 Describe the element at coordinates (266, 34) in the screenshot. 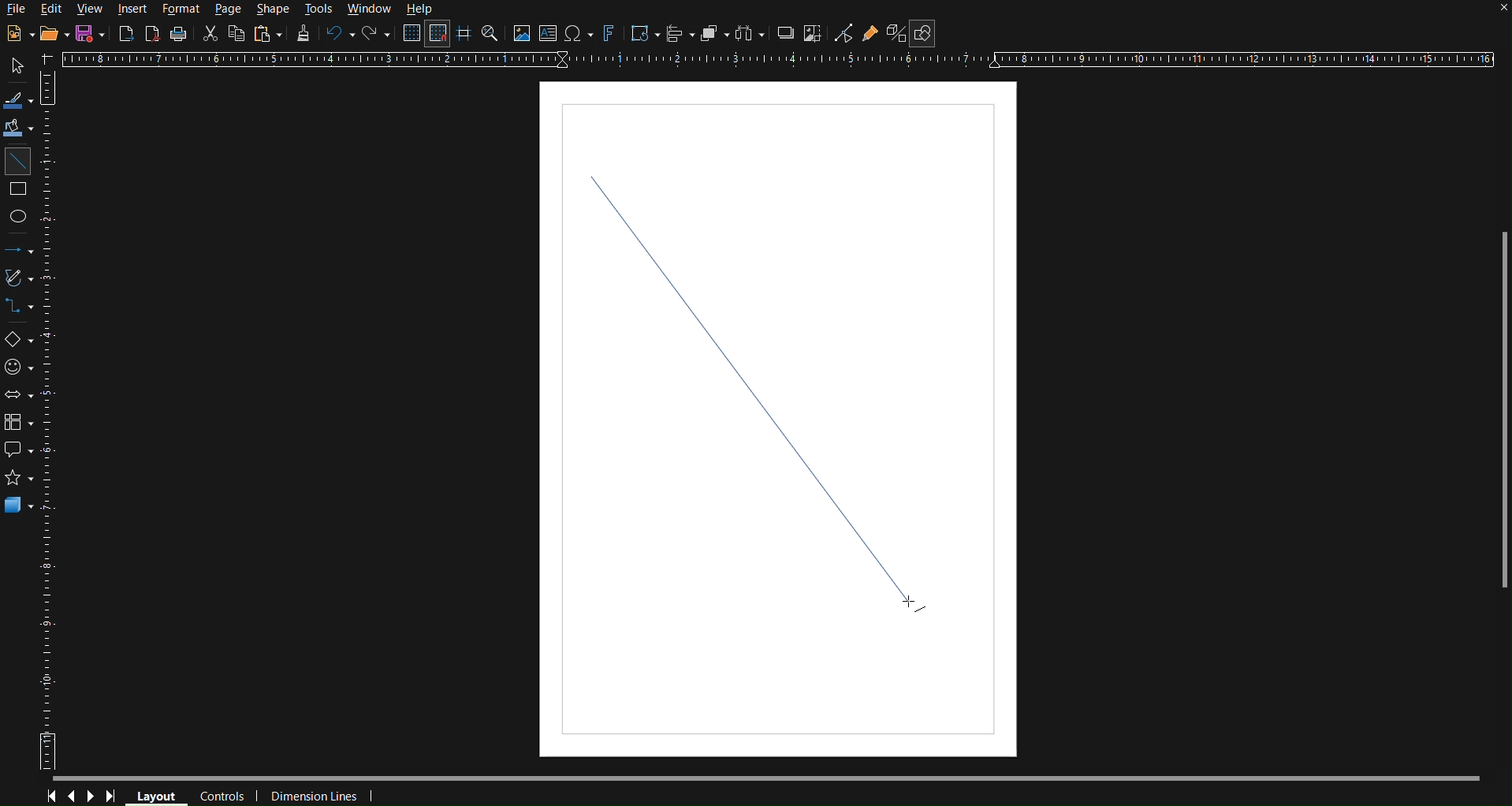

I see `Paste` at that location.